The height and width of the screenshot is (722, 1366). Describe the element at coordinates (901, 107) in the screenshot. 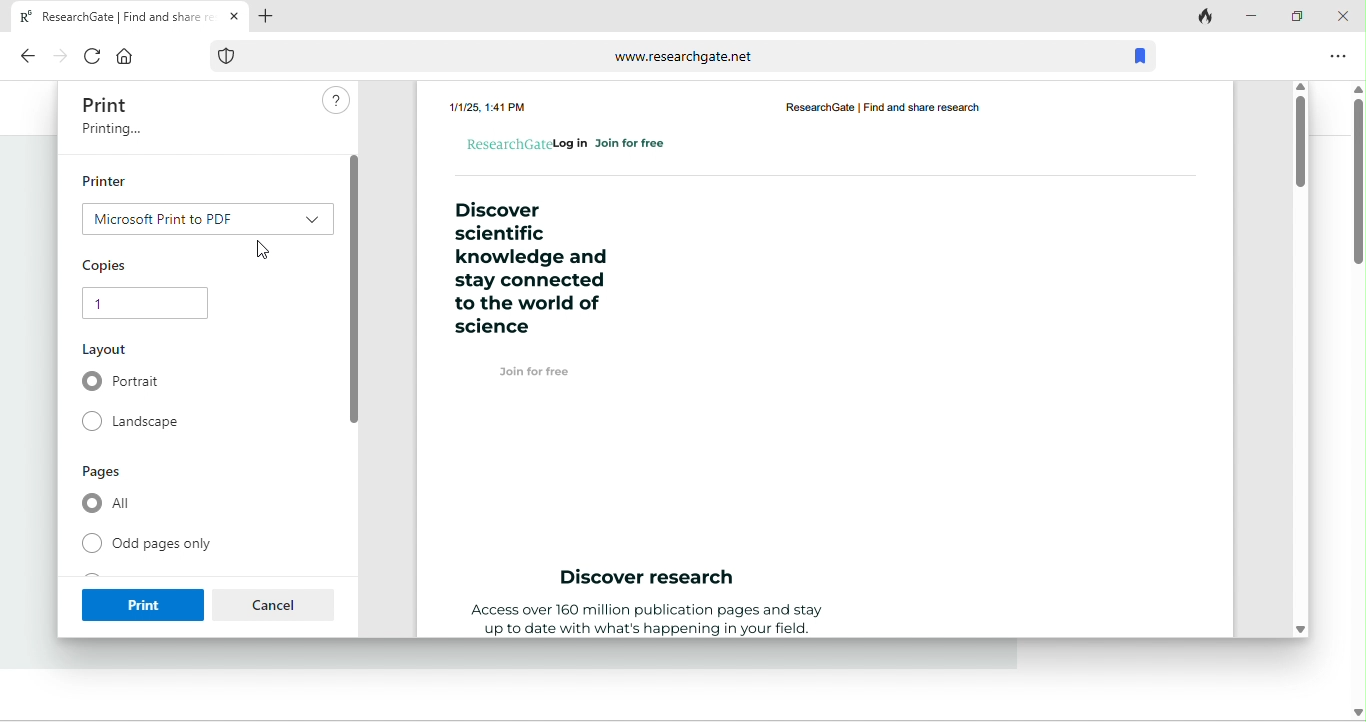

I see `research gate` at that location.